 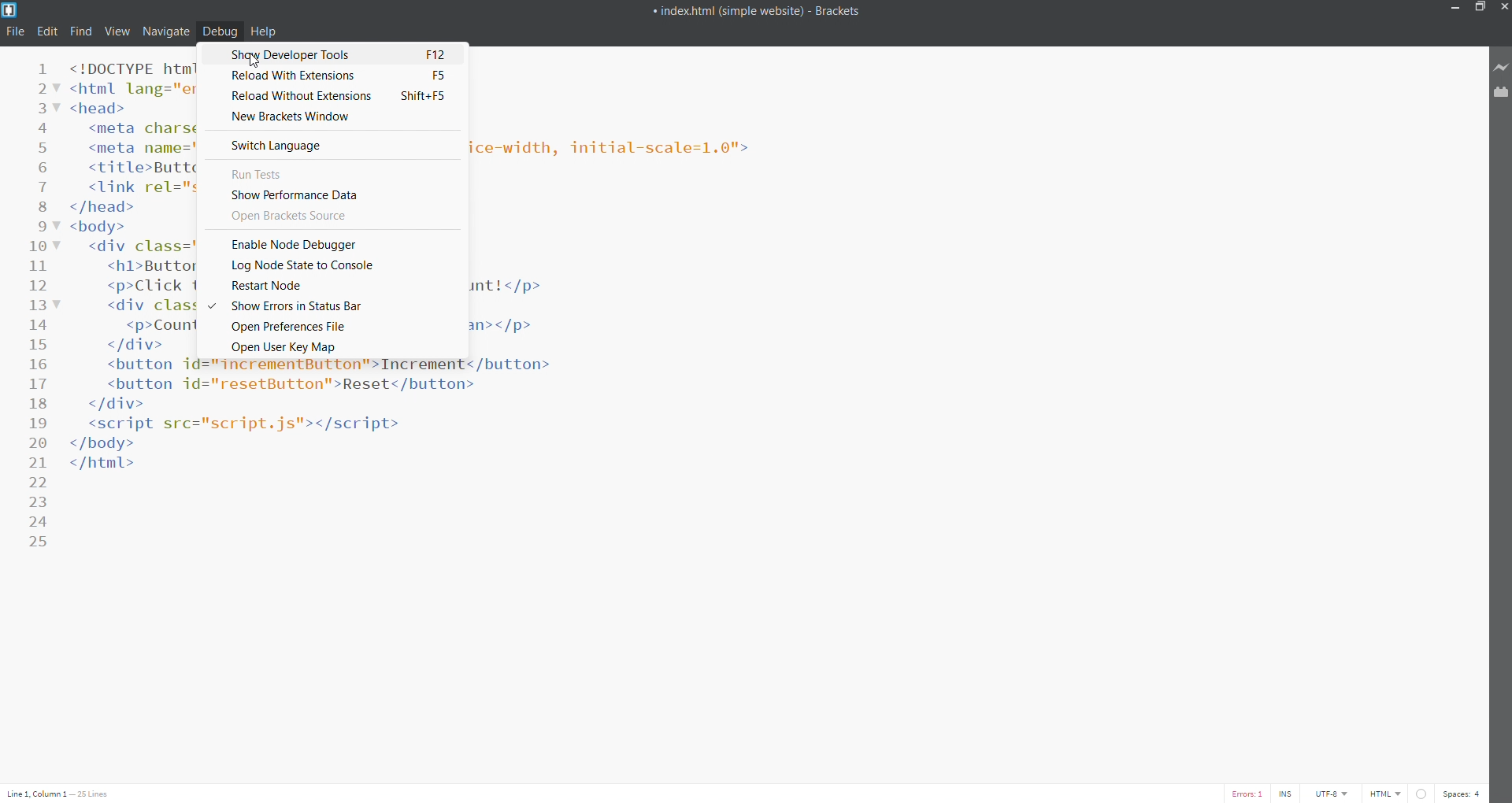 What do you see at coordinates (330, 217) in the screenshot?
I see `open brackets source` at bounding box center [330, 217].